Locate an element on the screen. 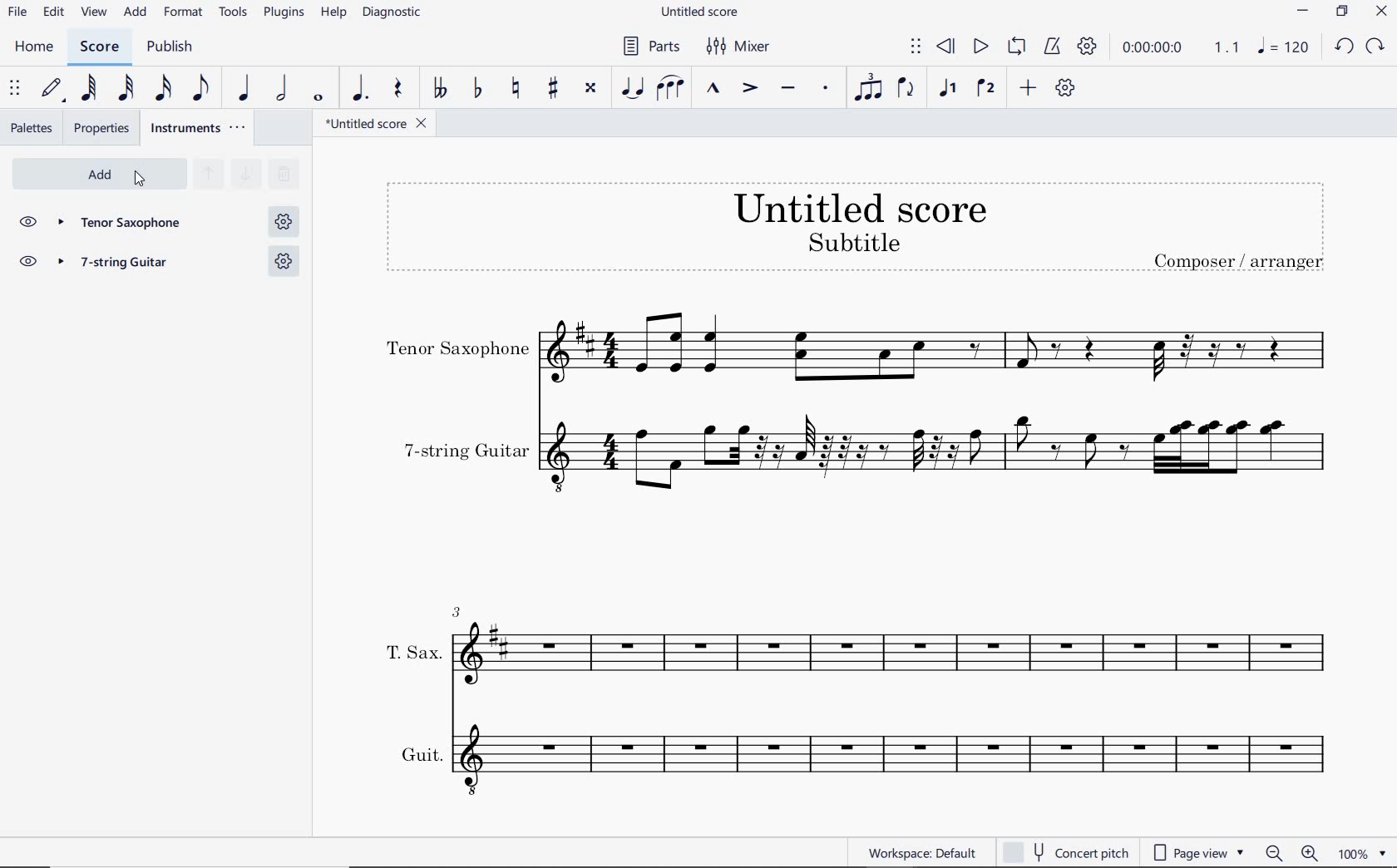 The image size is (1397, 868). FILE NAME is located at coordinates (698, 13).